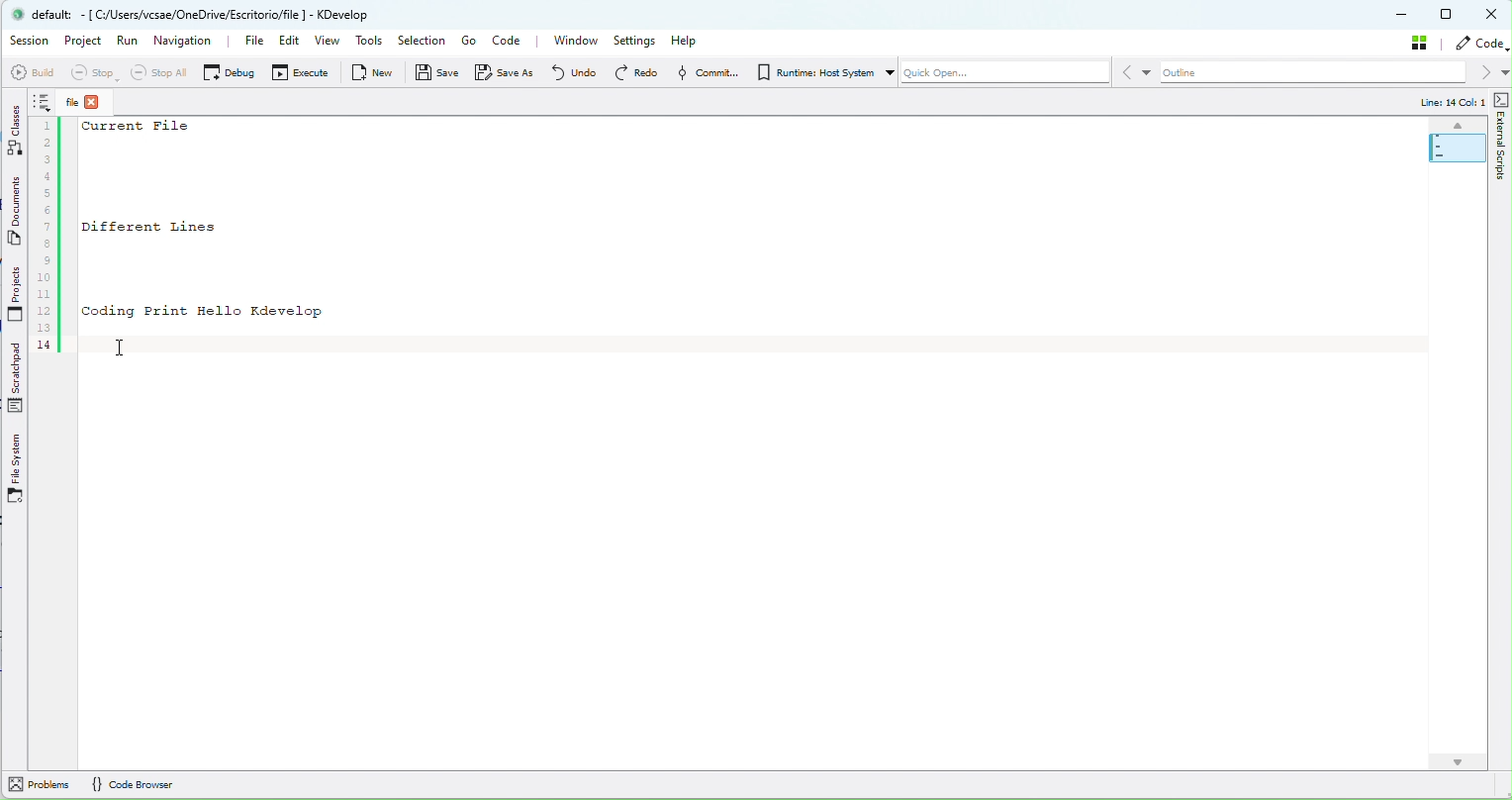 The height and width of the screenshot is (800, 1512). What do you see at coordinates (285, 44) in the screenshot?
I see `Edit` at bounding box center [285, 44].